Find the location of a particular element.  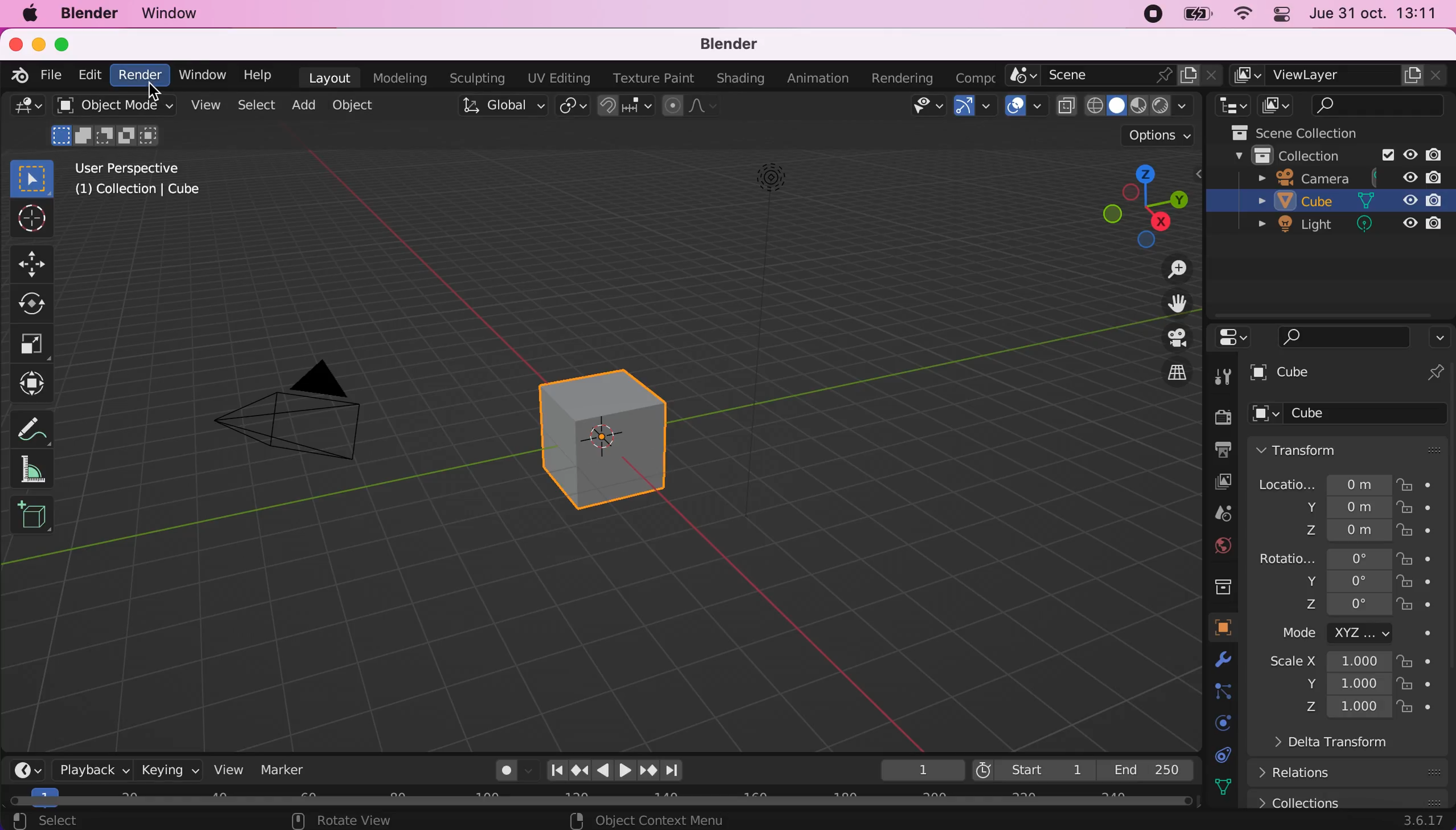

Jump to first is located at coordinates (552, 770).